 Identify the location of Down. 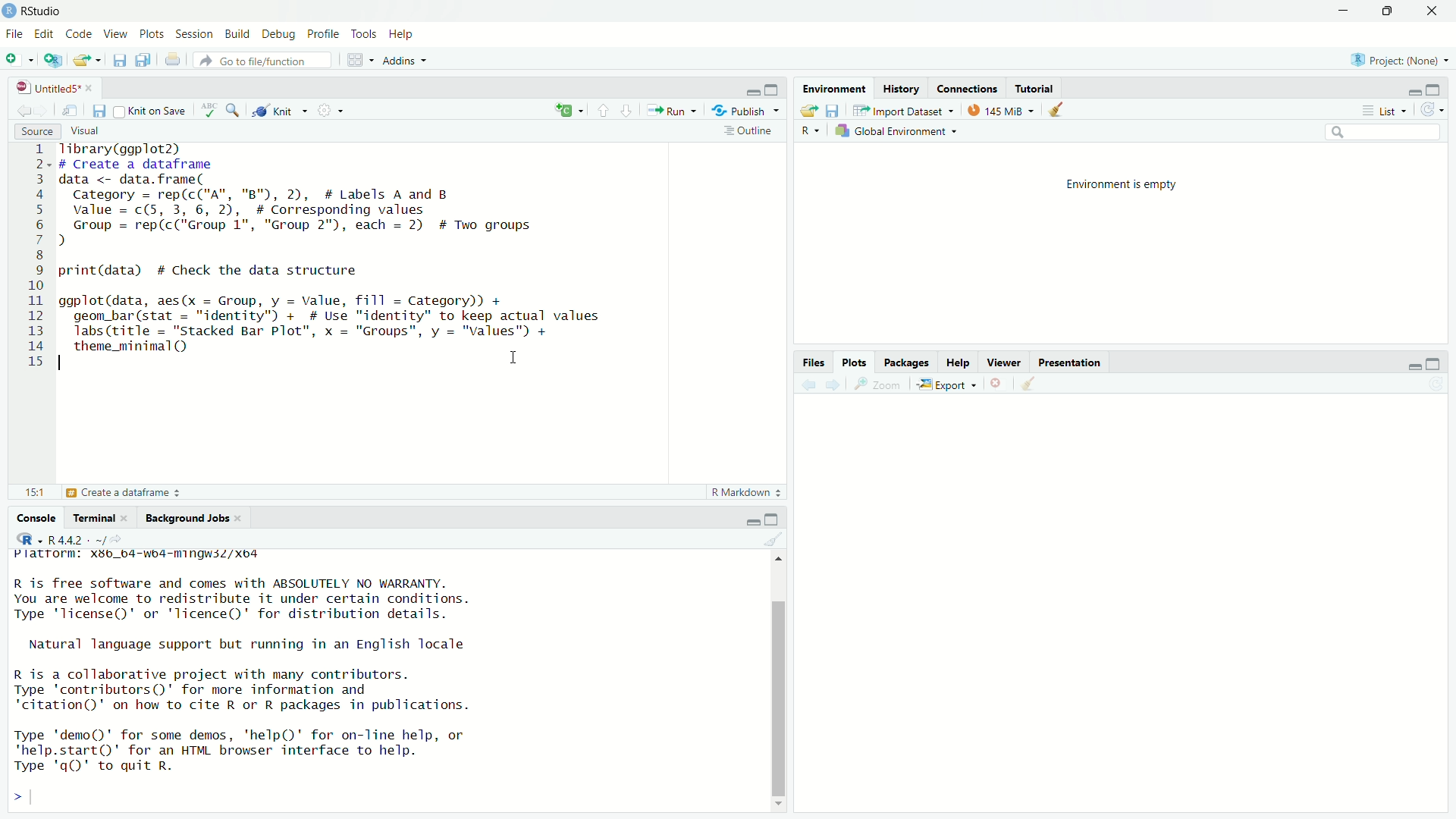
(783, 802).